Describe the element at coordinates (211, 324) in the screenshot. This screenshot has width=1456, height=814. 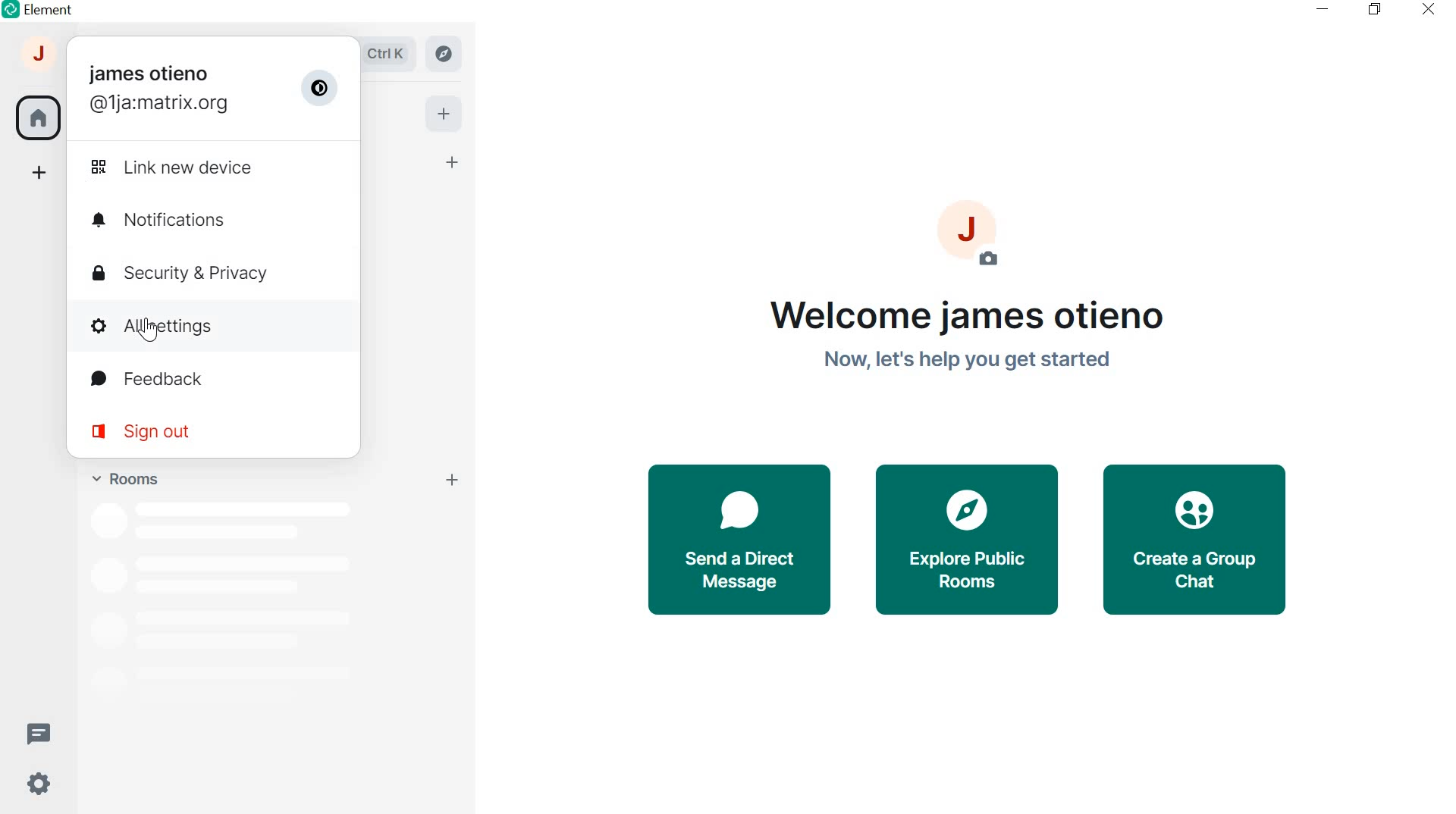
I see `ALL SETTINGS` at that location.